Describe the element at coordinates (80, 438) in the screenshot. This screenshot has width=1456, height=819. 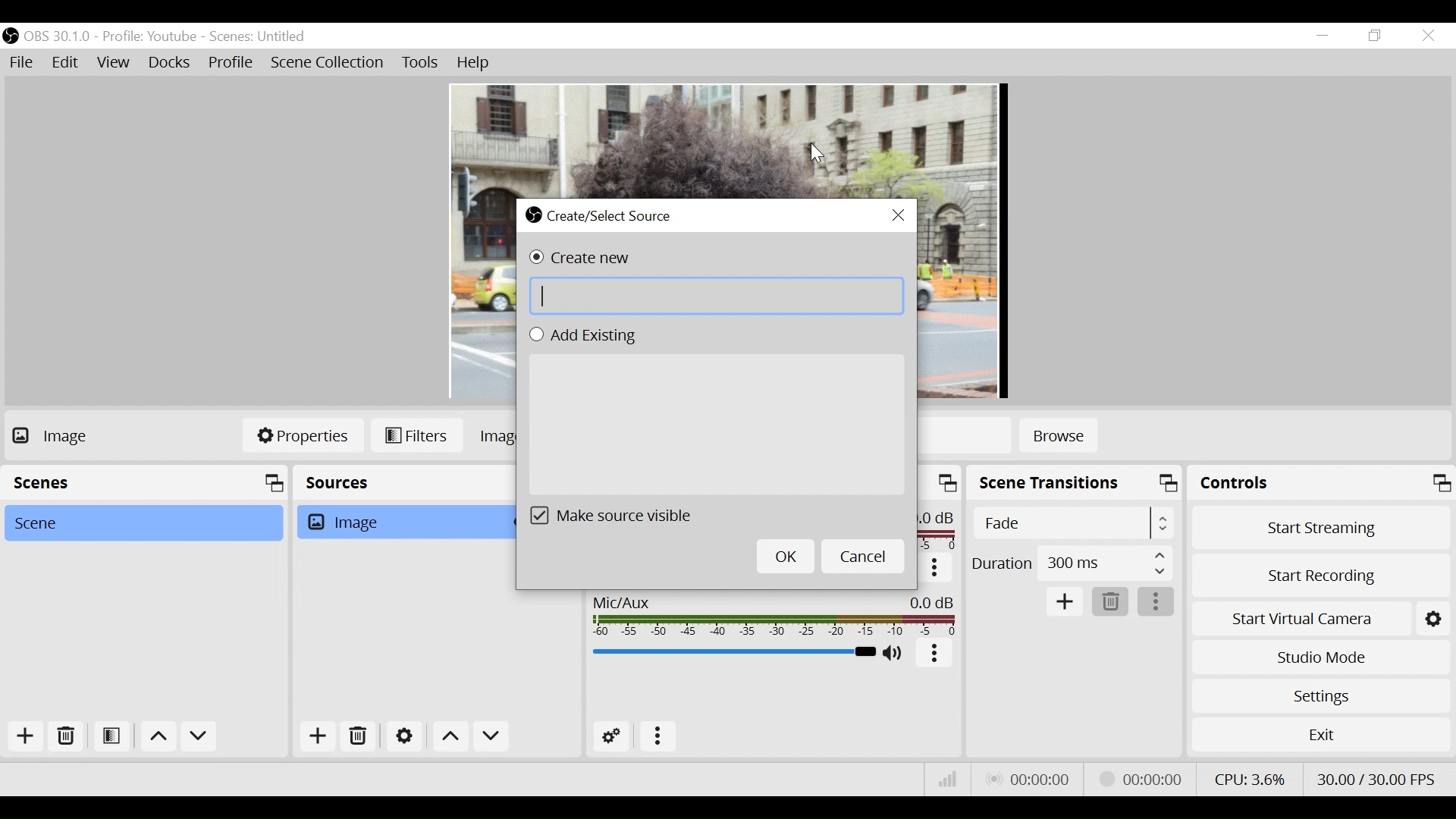
I see `No source Selected` at that location.